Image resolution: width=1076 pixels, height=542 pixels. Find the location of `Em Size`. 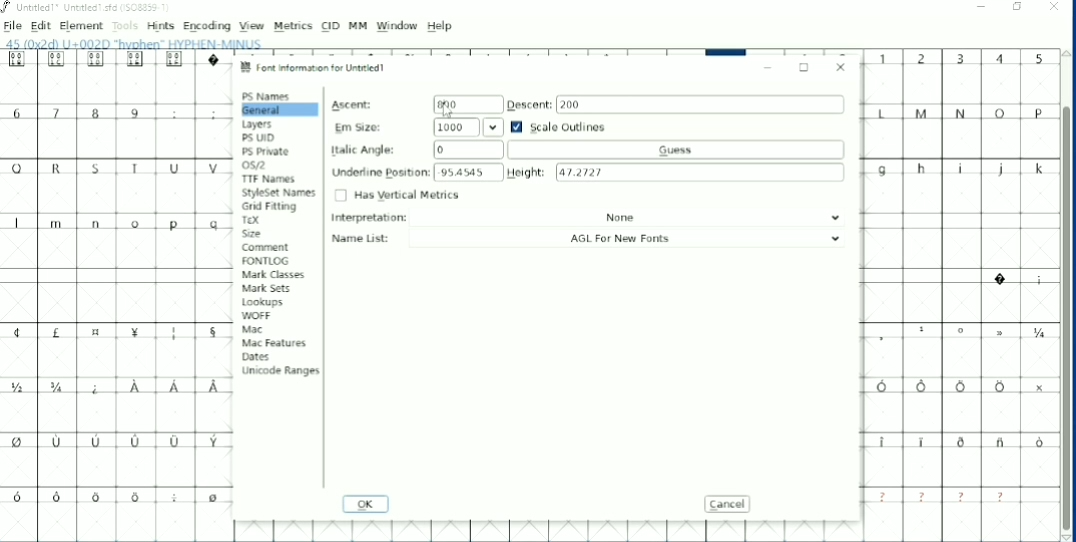

Em Size is located at coordinates (418, 127).